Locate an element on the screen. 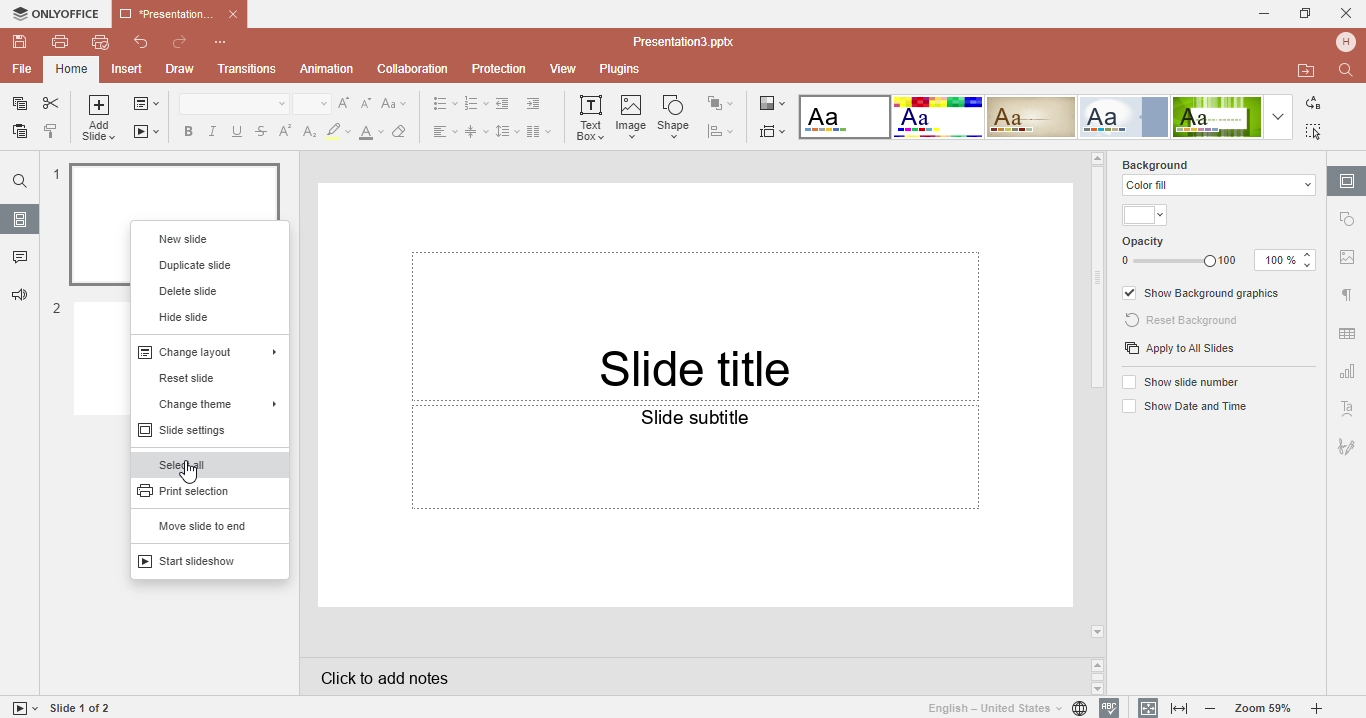 The image size is (1366, 718). Text box is located at coordinates (590, 119).